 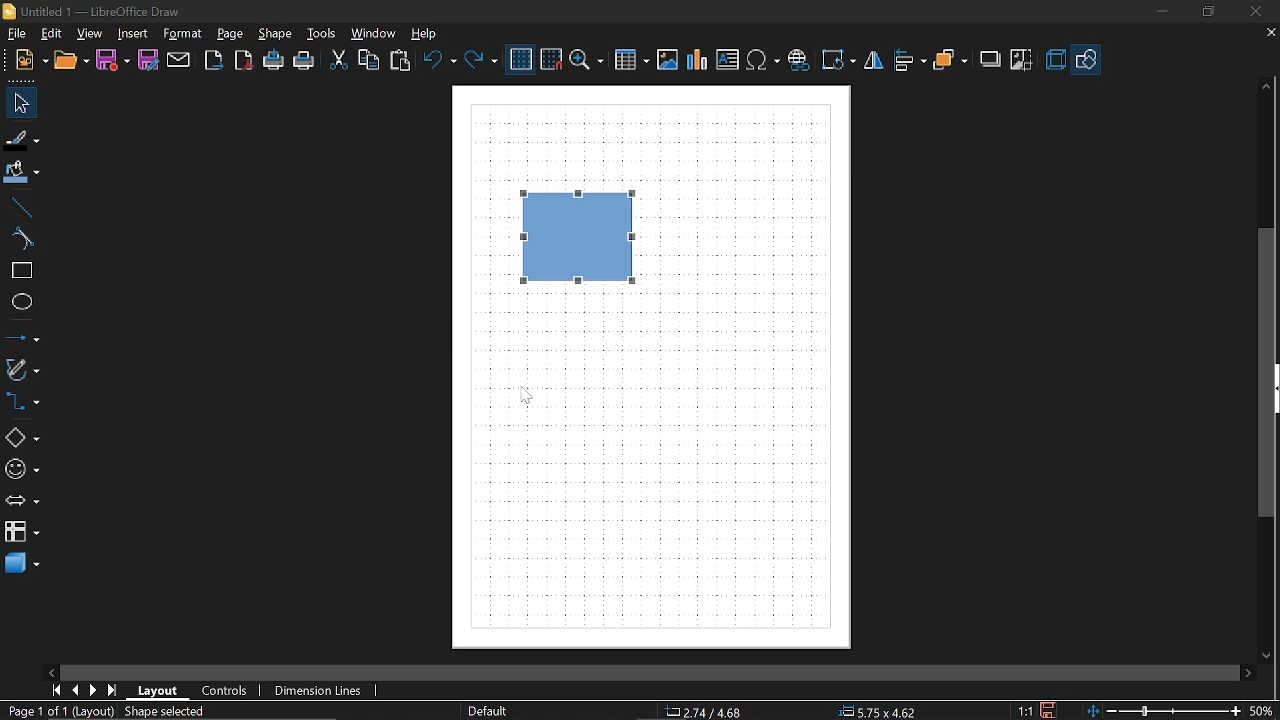 I want to click on Current zoom, so click(x=1260, y=710).